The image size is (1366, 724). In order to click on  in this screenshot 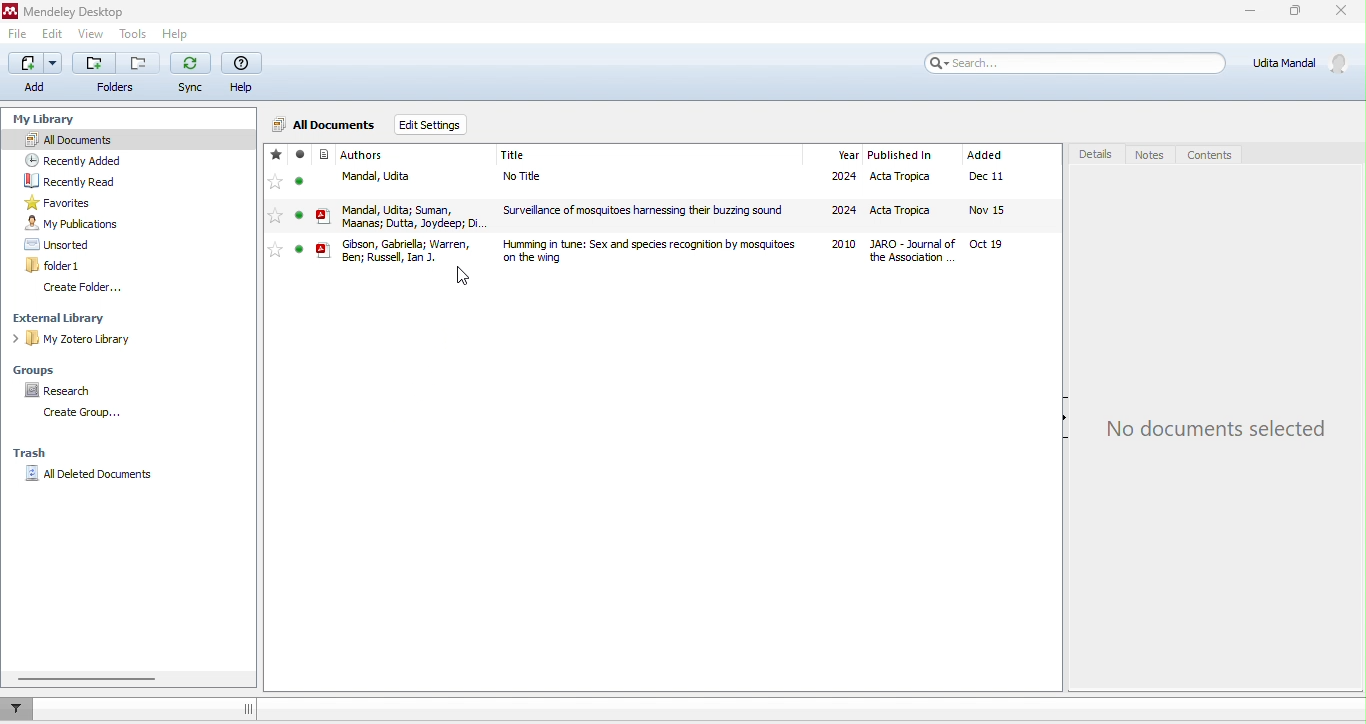, I will do `click(116, 72)`.